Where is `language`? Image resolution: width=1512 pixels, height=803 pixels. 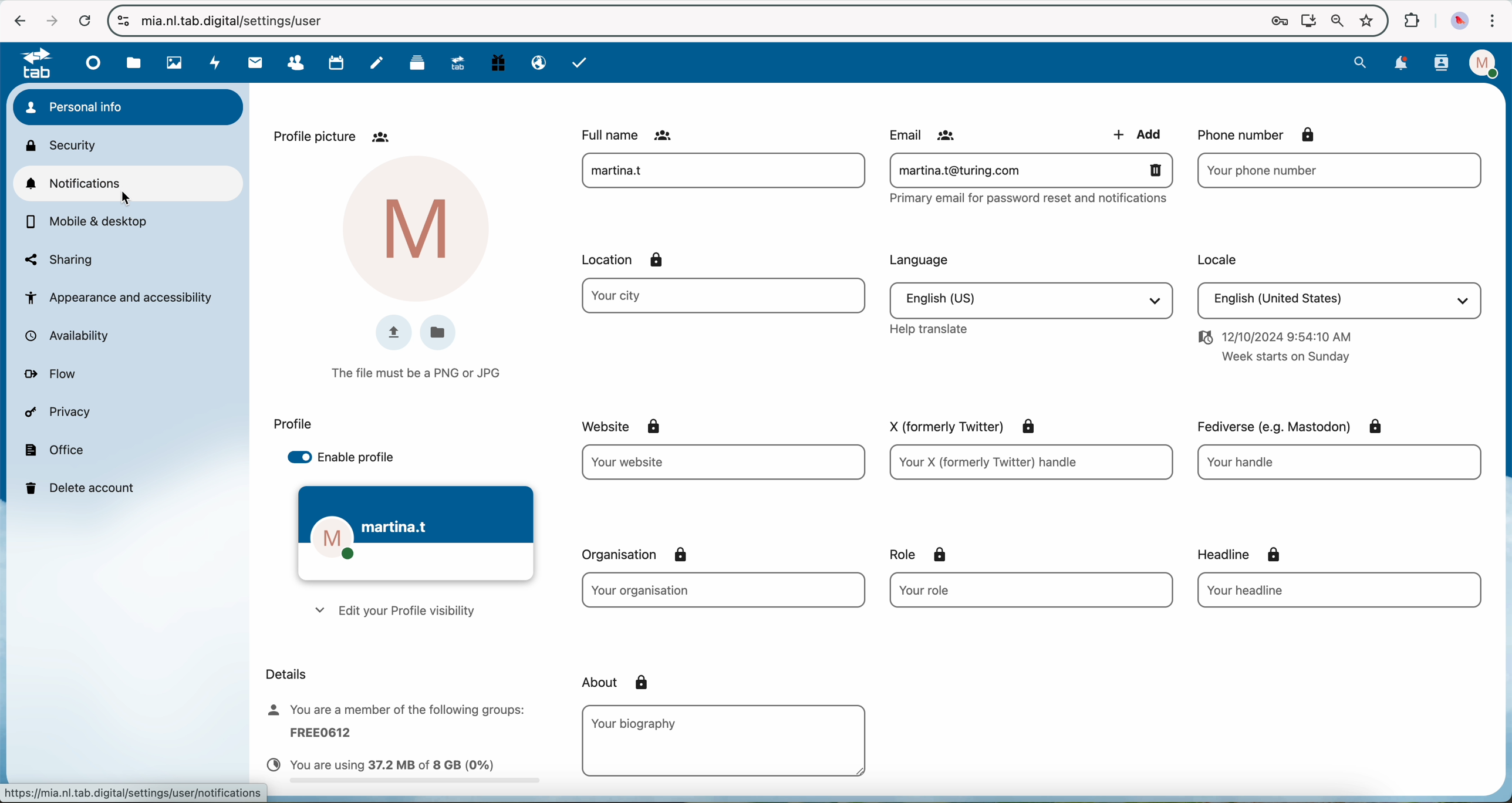
language is located at coordinates (1033, 306).